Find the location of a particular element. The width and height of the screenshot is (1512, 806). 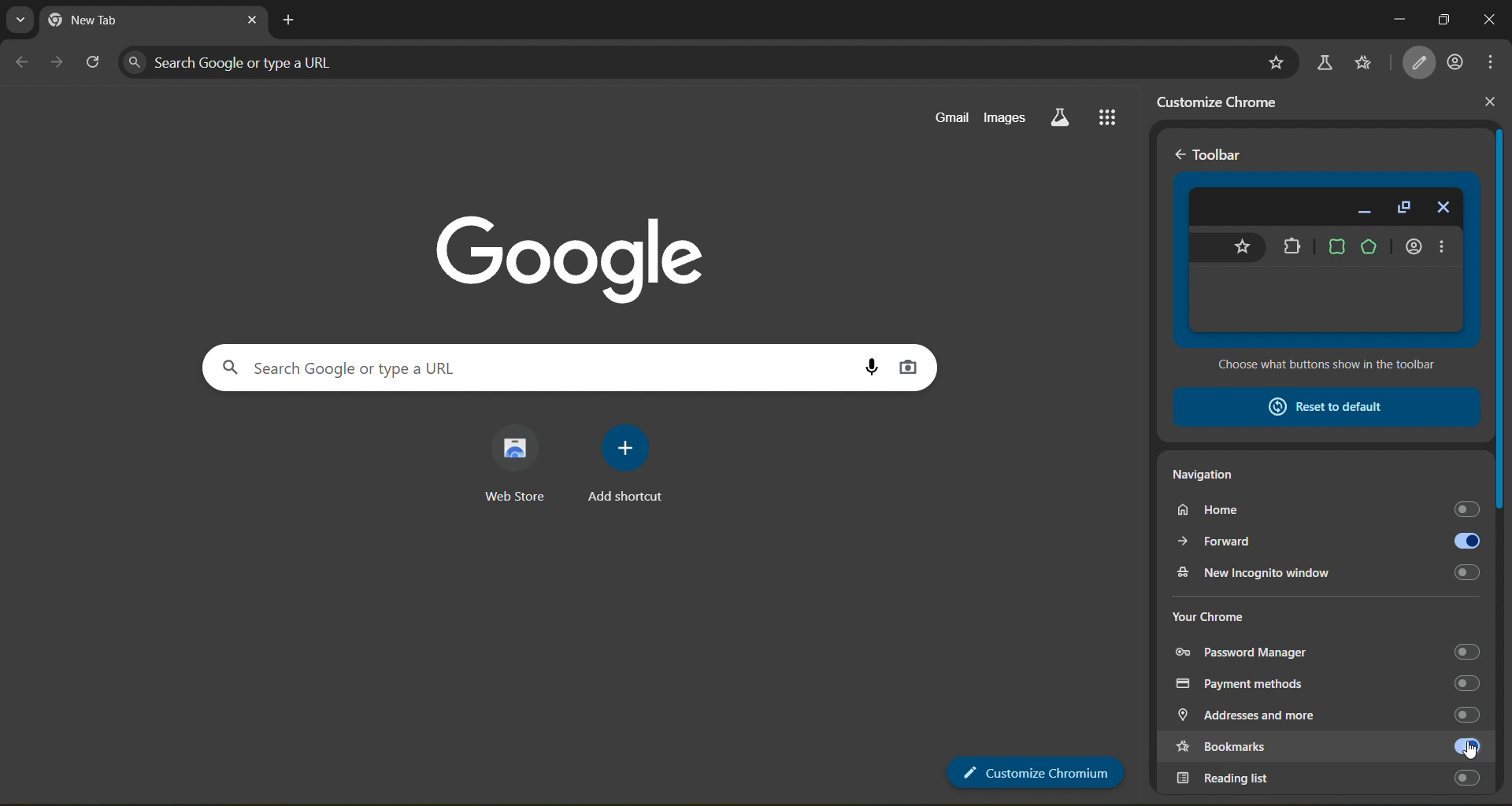

Toolbar is located at coordinates (1223, 155).